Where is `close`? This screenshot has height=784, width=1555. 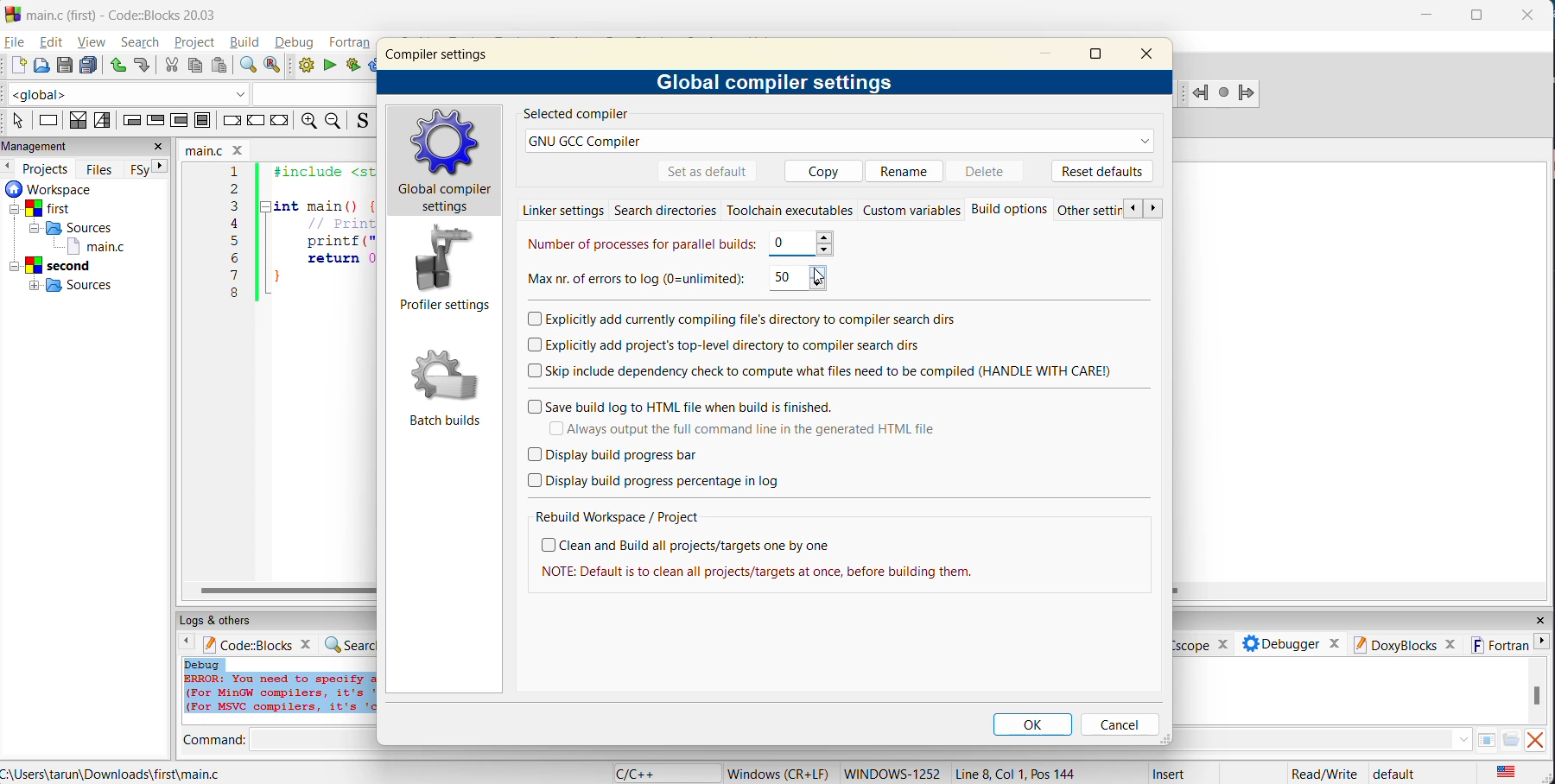 close is located at coordinates (158, 148).